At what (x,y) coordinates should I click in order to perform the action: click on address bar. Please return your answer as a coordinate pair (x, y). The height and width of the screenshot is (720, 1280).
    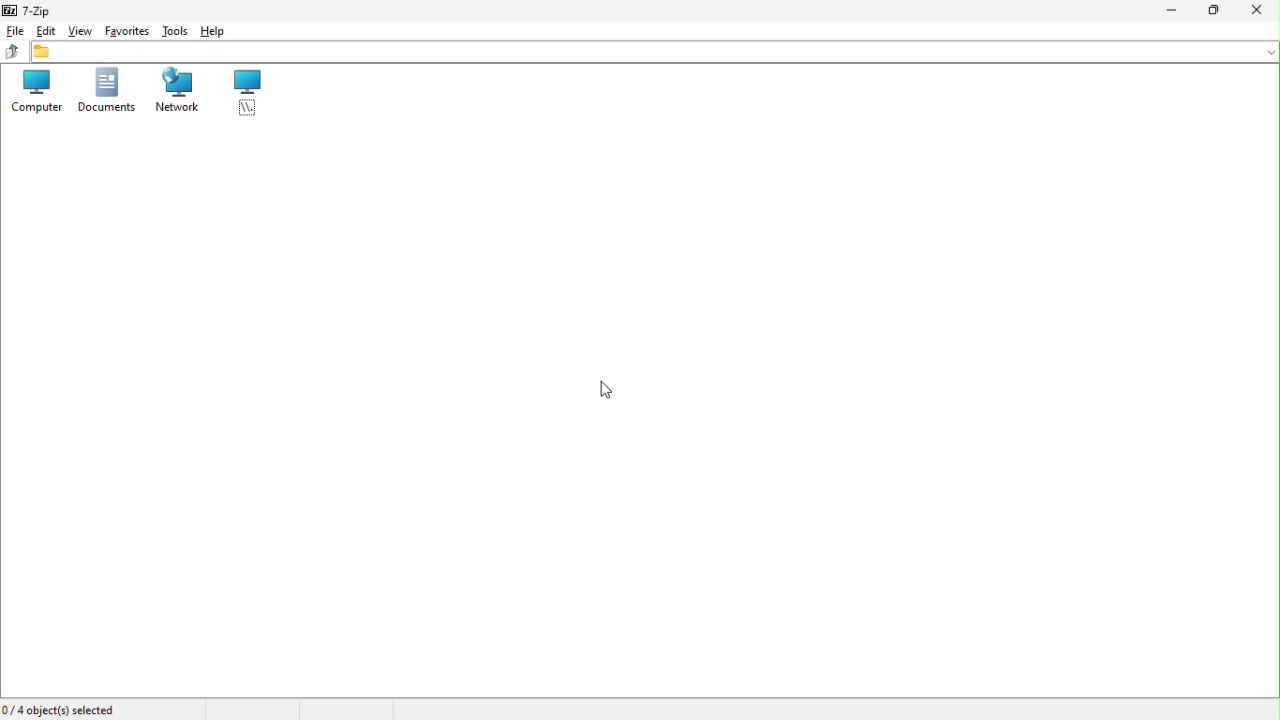
    Looking at the image, I should click on (656, 52).